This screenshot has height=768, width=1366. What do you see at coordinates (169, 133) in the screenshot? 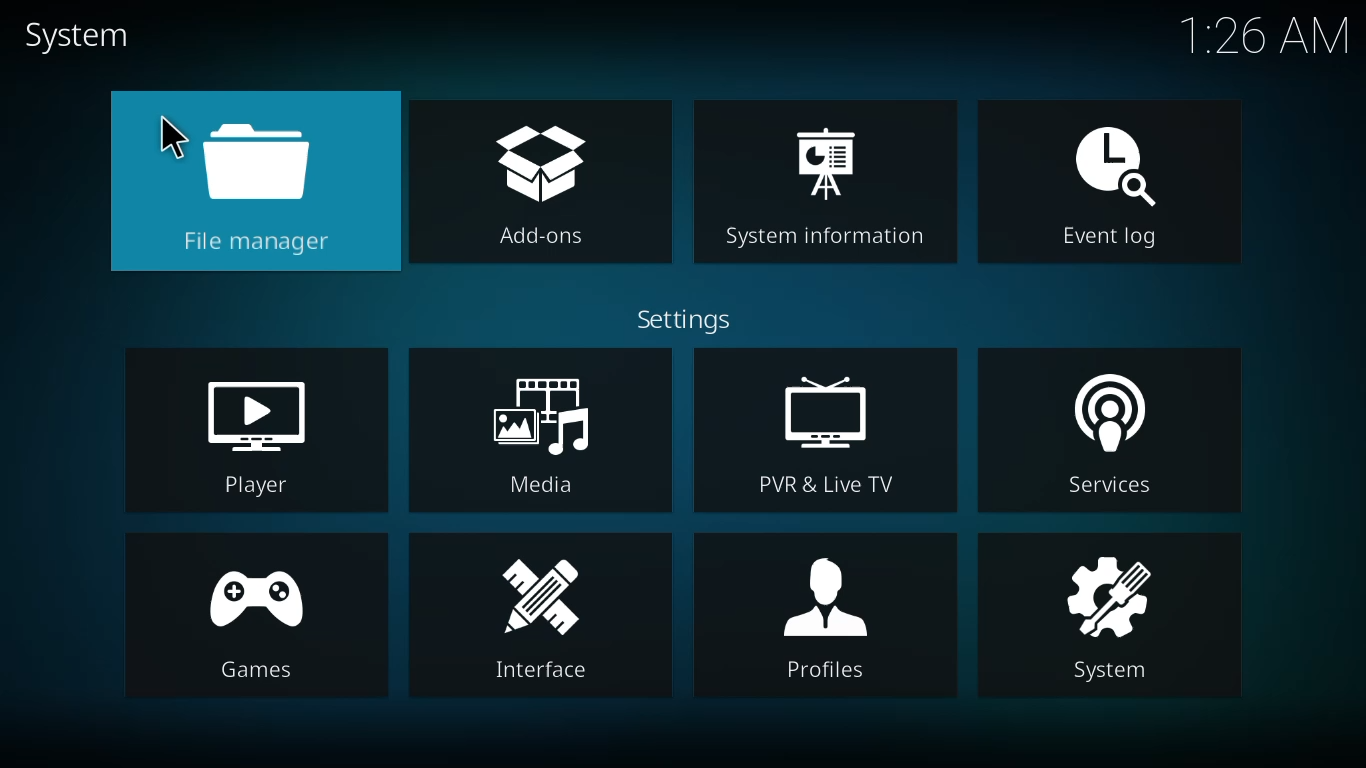
I see `cursor` at bounding box center [169, 133].